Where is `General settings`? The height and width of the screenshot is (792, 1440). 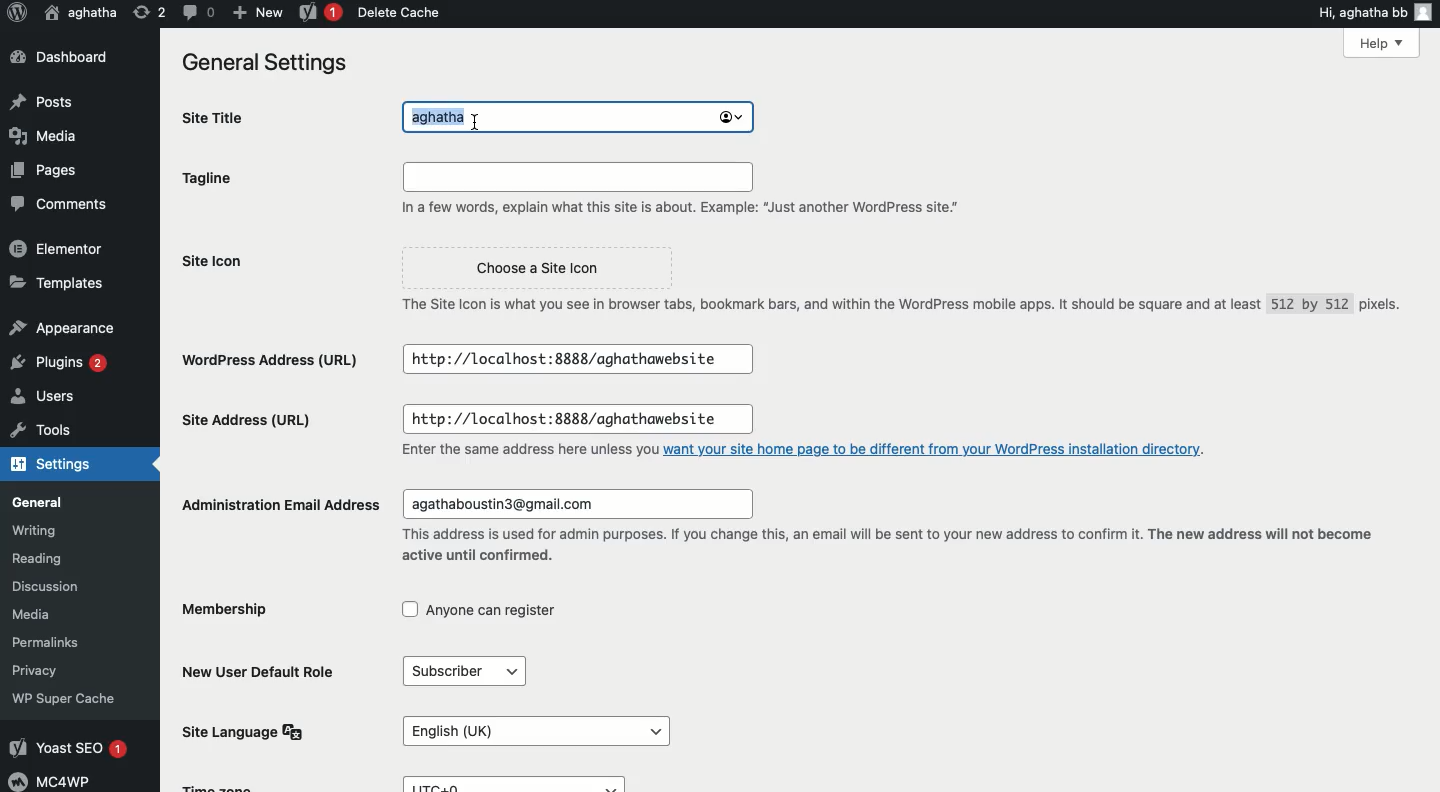
General settings is located at coordinates (275, 67).